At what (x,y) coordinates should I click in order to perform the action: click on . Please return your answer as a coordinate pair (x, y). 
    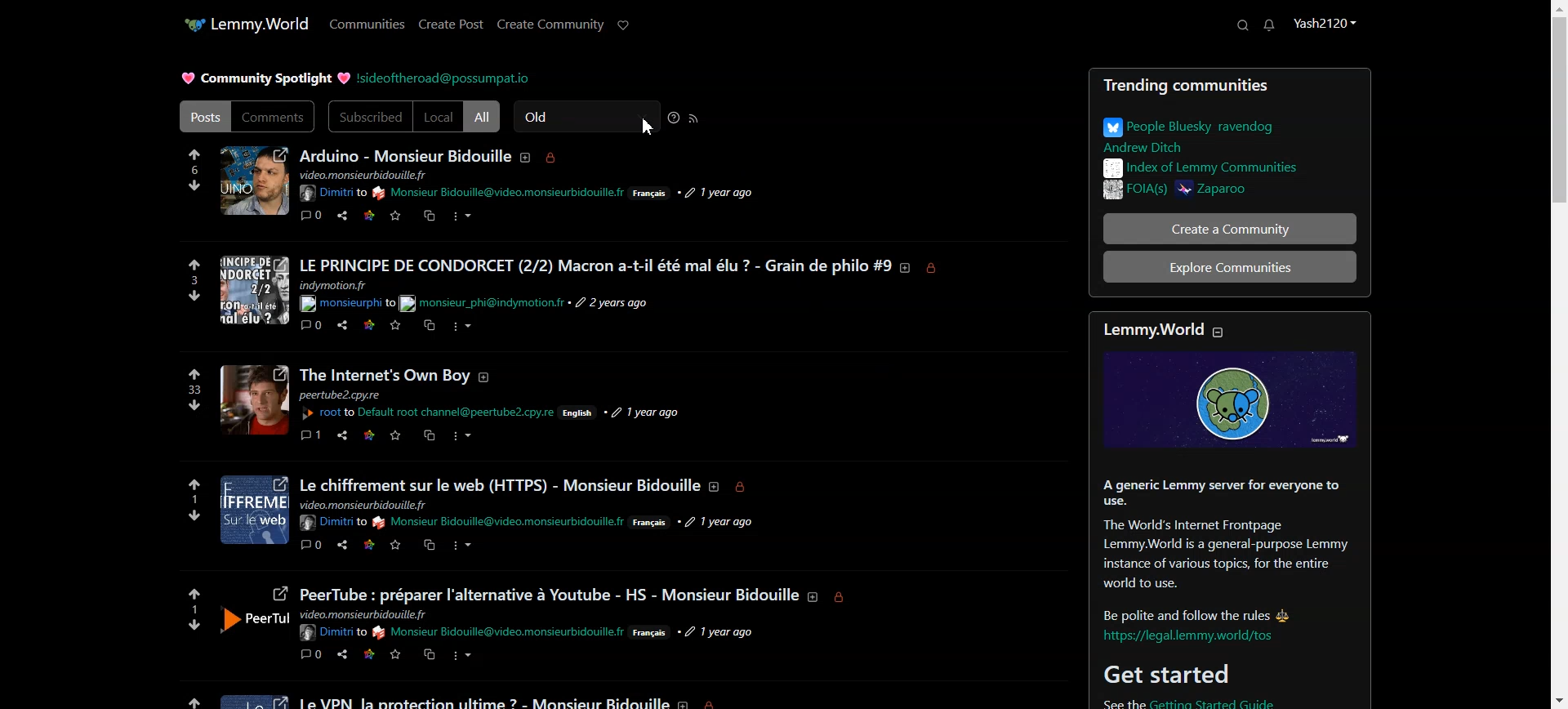
    Looking at the image, I should click on (652, 633).